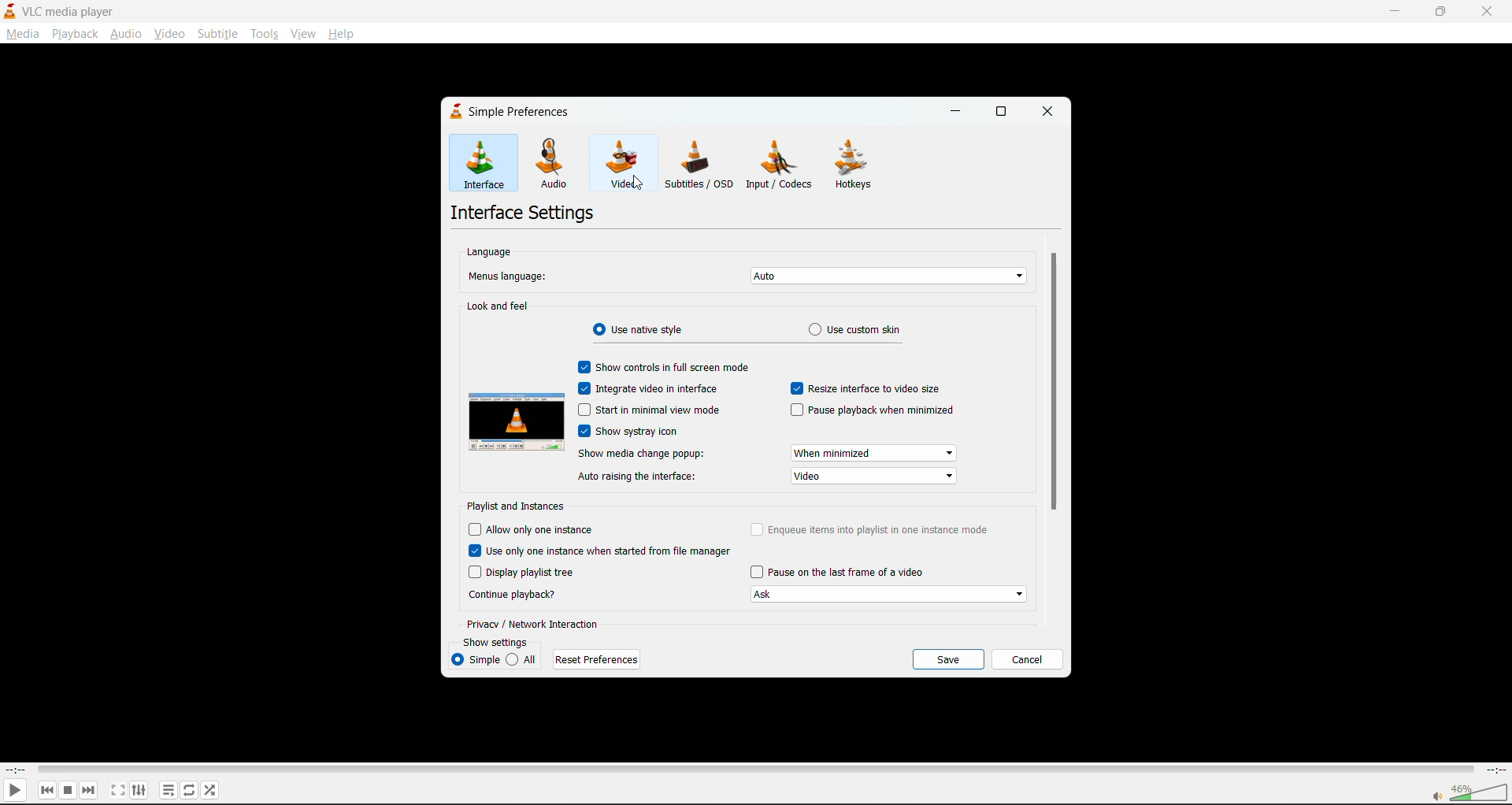 This screenshot has height=805, width=1512. Describe the element at coordinates (600, 552) in the screenshot. I see `use only one instance` at that location.